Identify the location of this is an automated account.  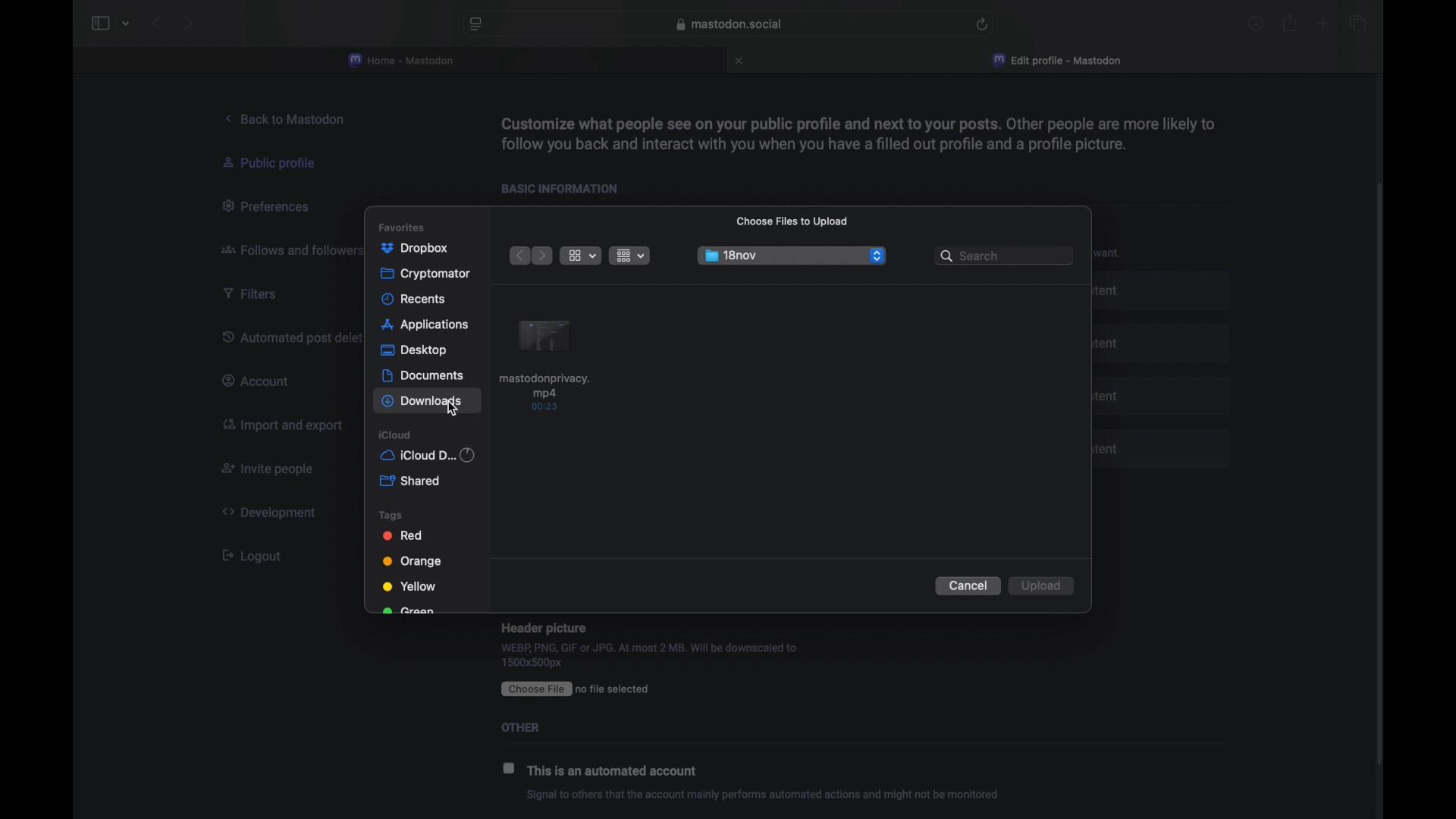
(617, 772).